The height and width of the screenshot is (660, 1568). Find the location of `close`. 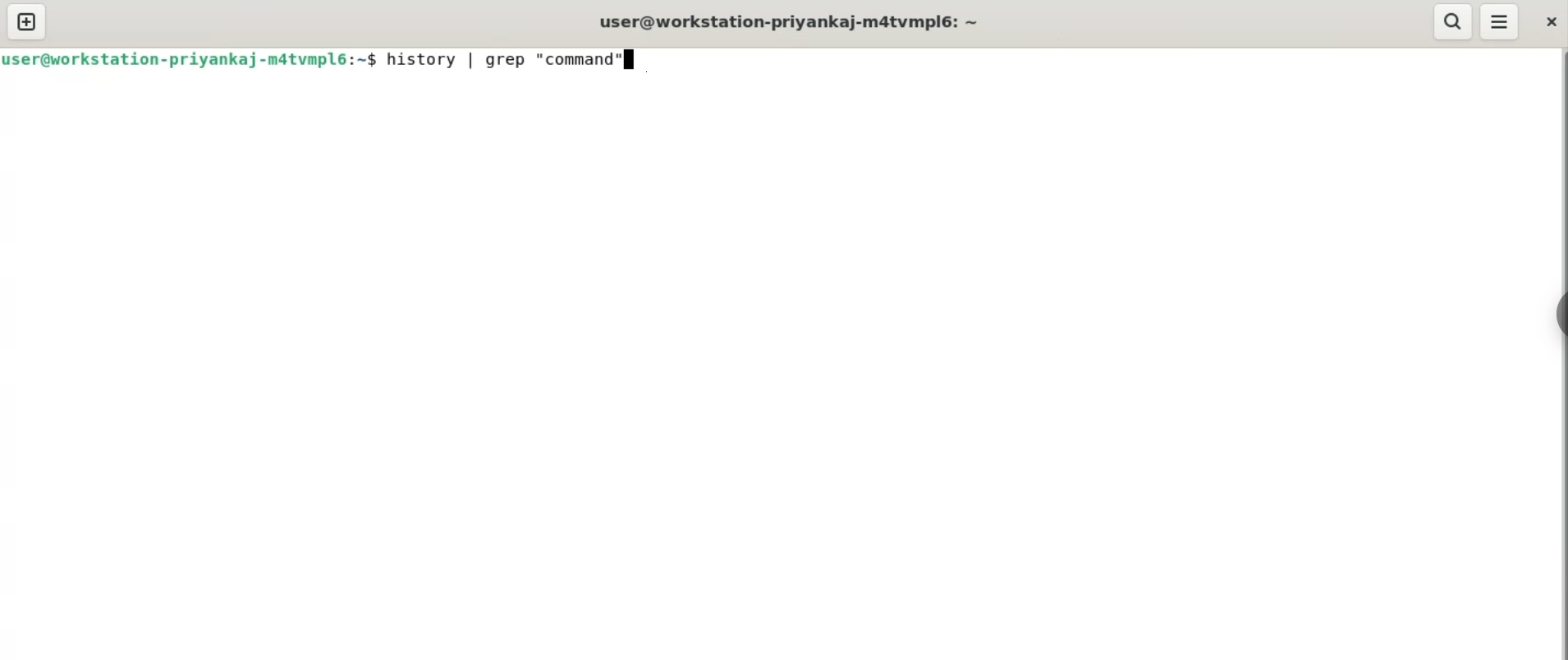

close is located at coordinates (1548, 21).